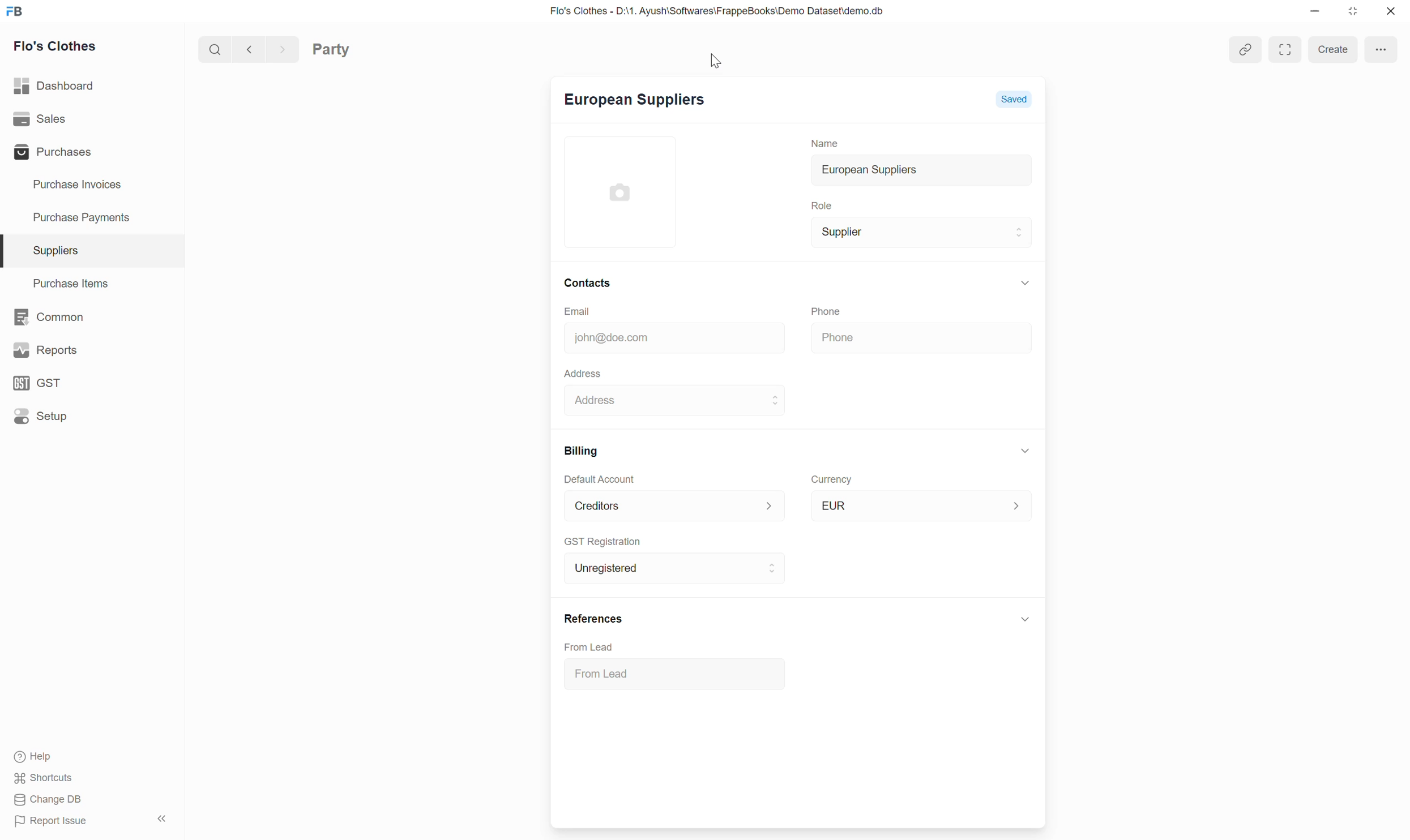 The image size is (1410, 840). I want to click on usD, so click(834, 503).